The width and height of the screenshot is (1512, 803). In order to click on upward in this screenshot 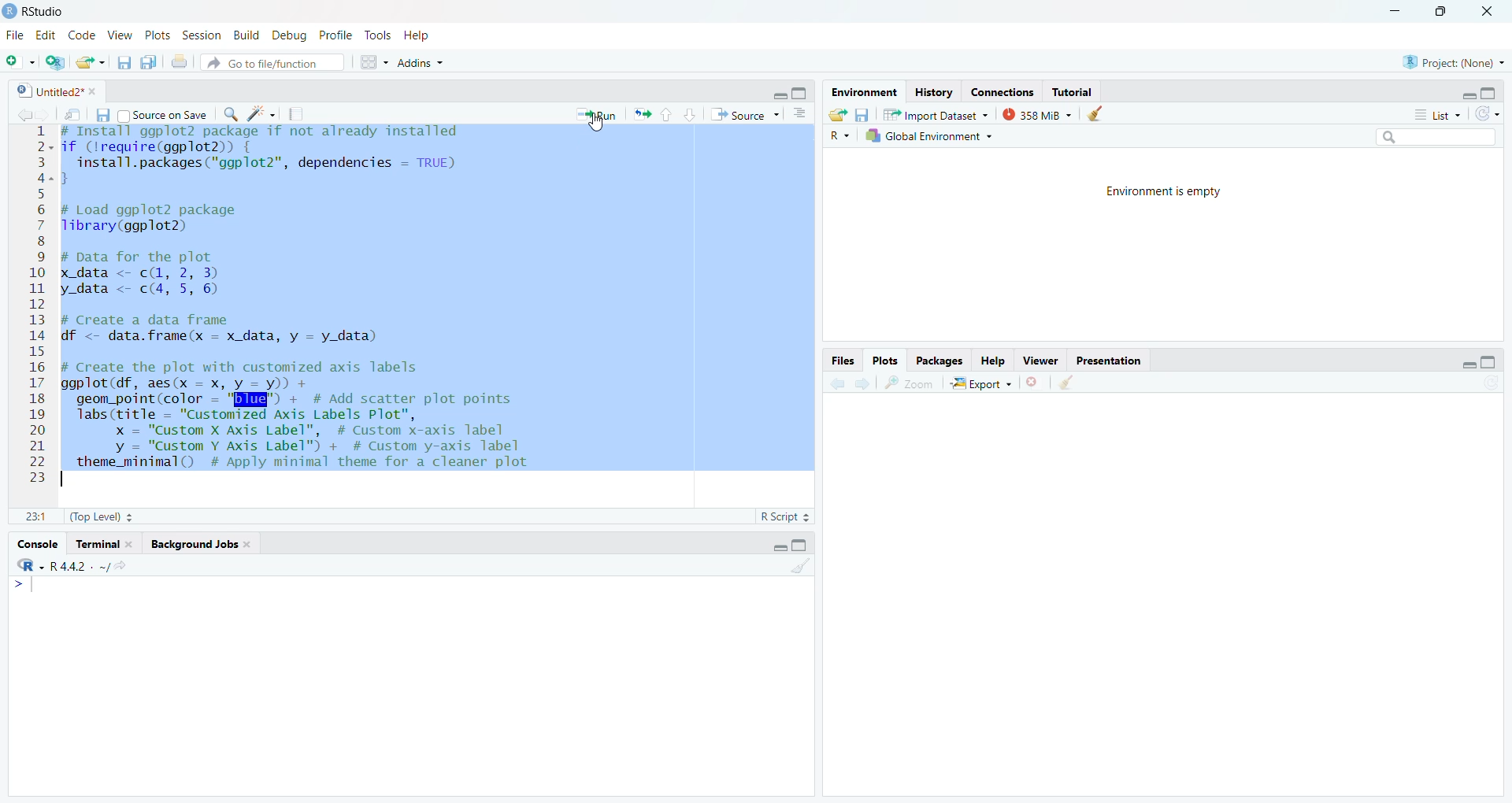, I will do `click(669, 117)`.